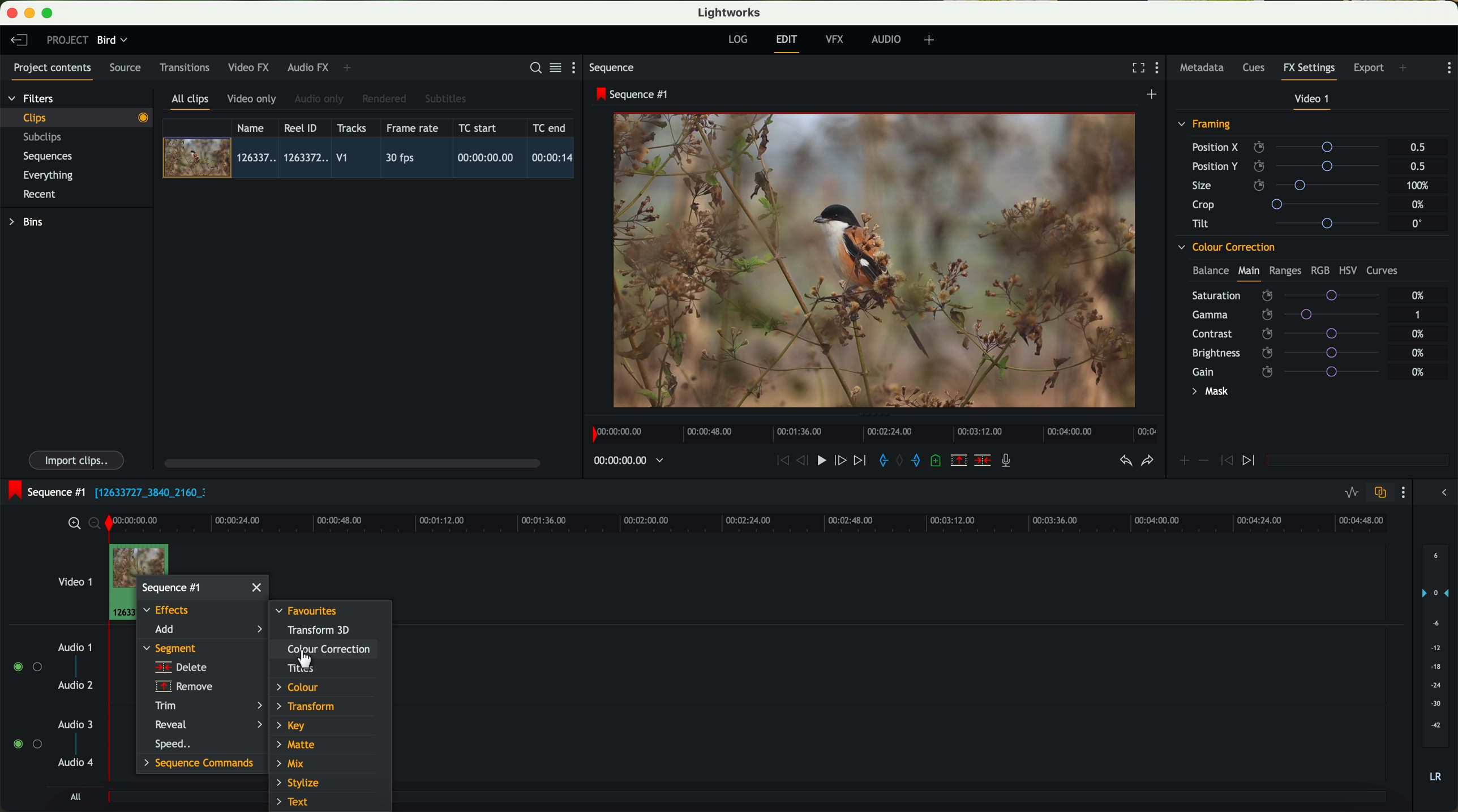  Describe the element at coordinates (351, 462) in the screenshot. I see `scroll bar` at that location.